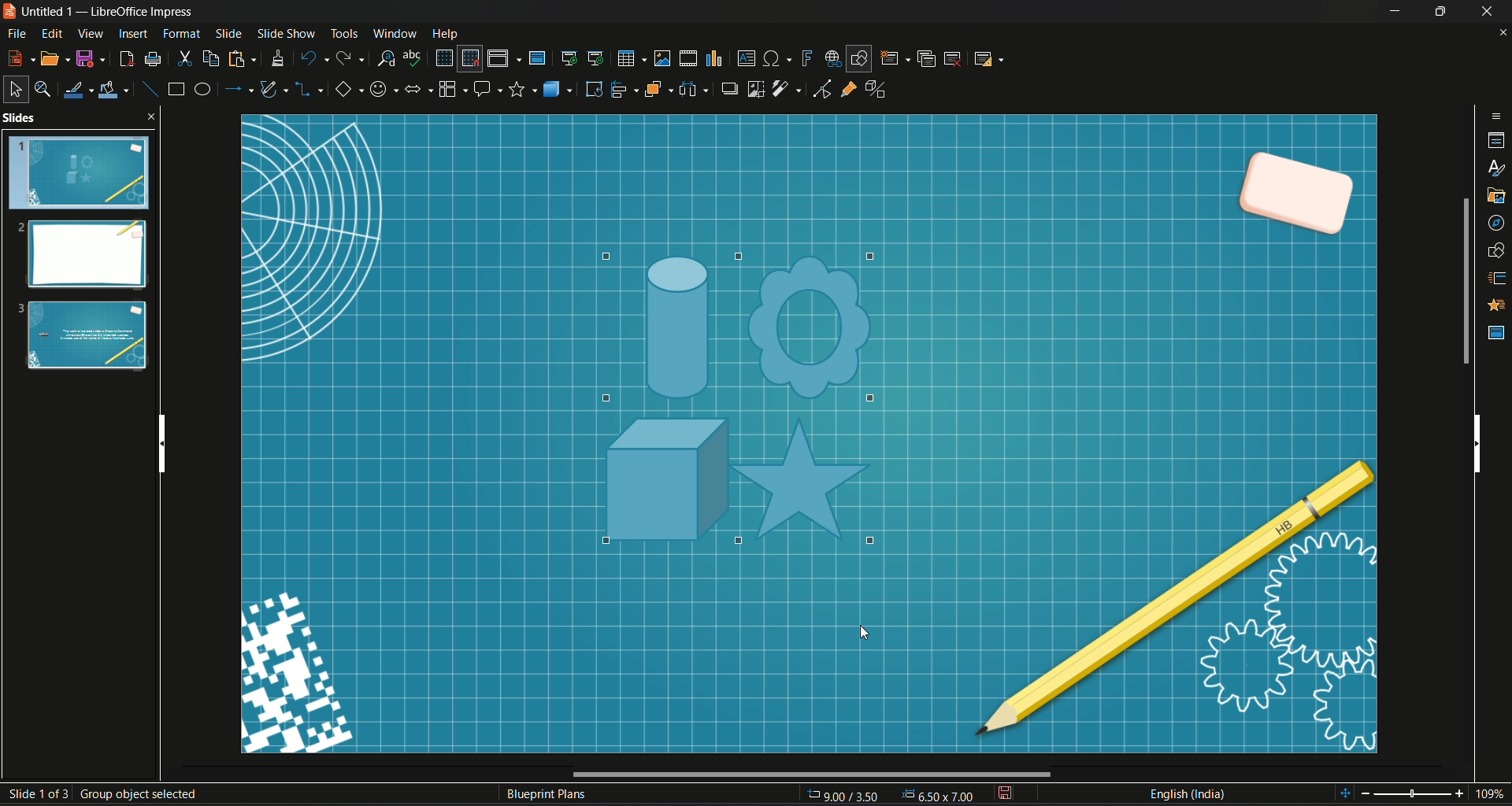 Image resolution: width=1512 pixels, height=806 pixels. I want to click on display grid, so click(443, 57).